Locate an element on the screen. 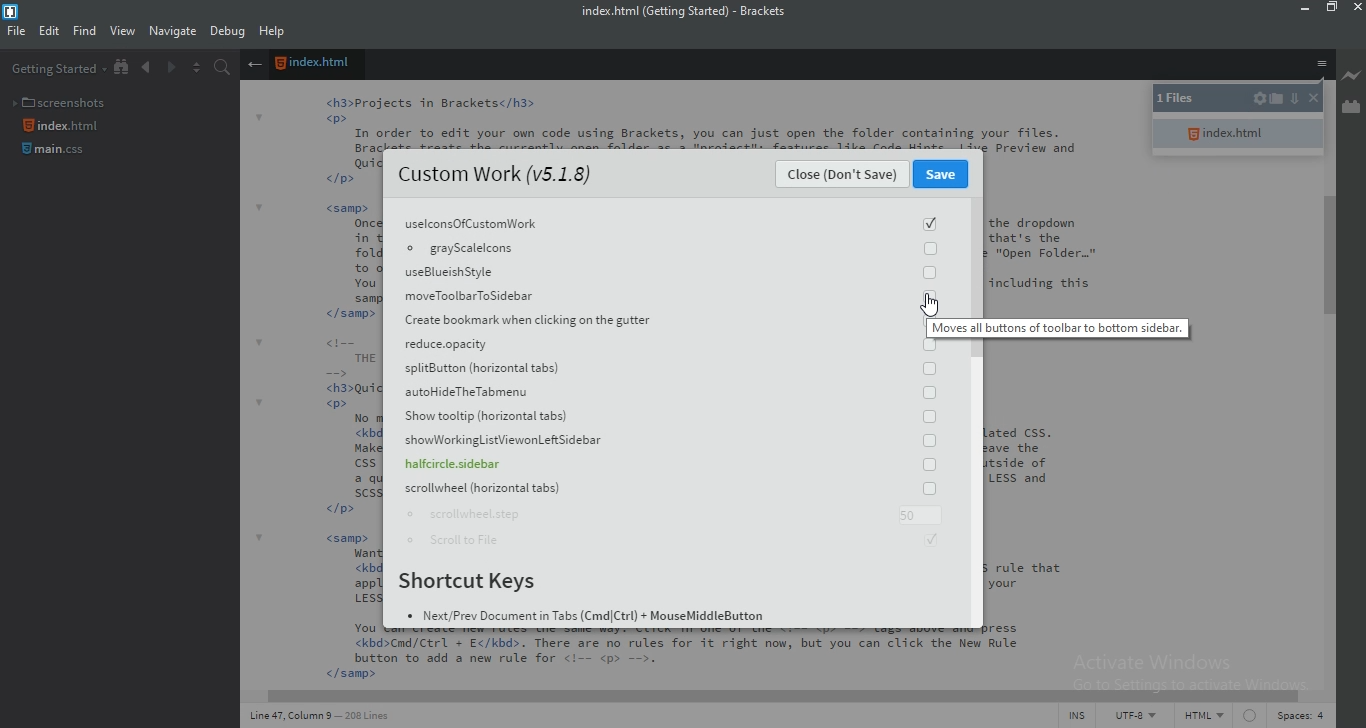 This screenshot has height=728, width=1366. showWorkingListViewonLeft Sidebar is located at coordinates (667, 442).